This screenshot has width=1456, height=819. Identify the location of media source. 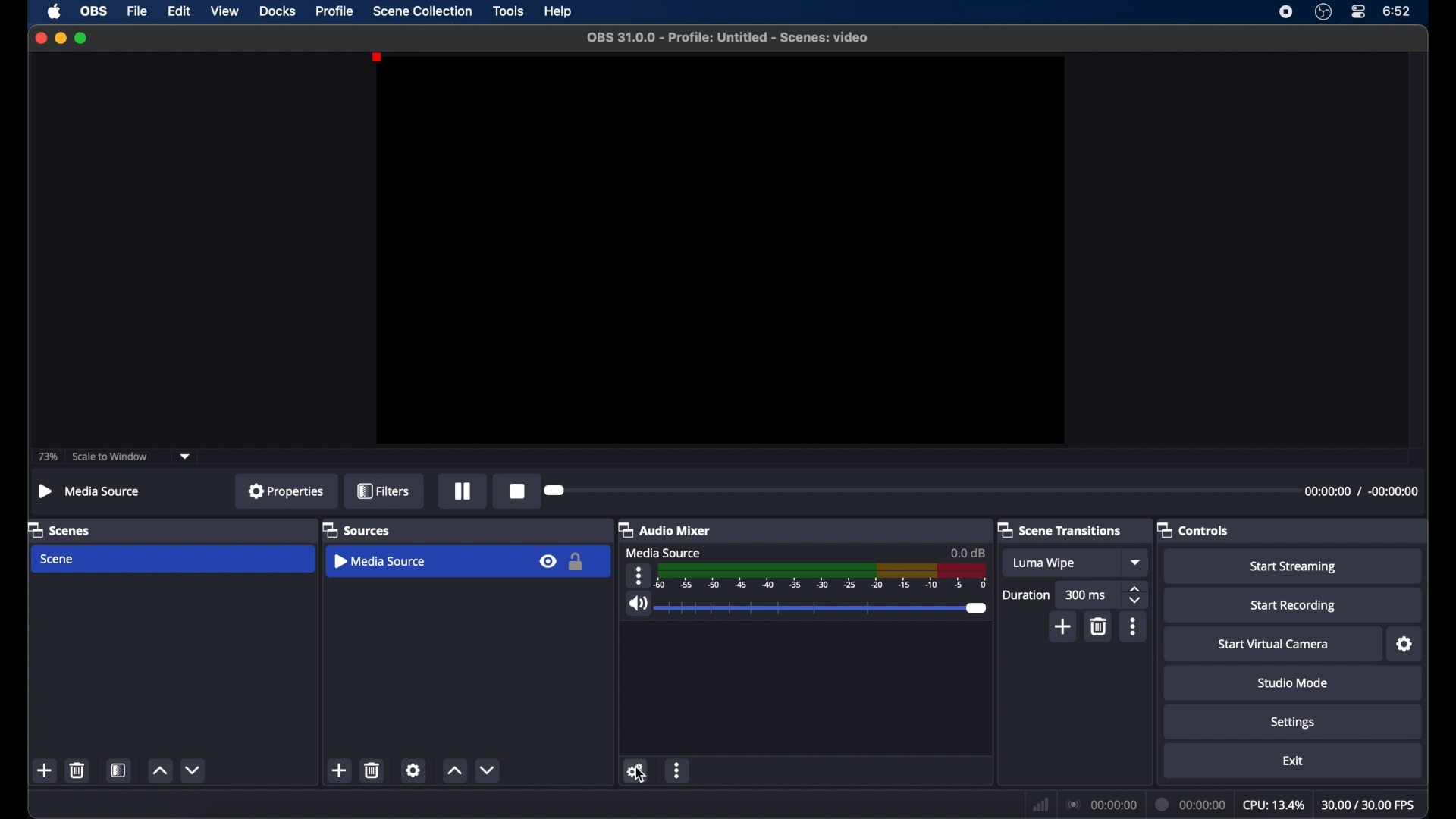
(379, 560).